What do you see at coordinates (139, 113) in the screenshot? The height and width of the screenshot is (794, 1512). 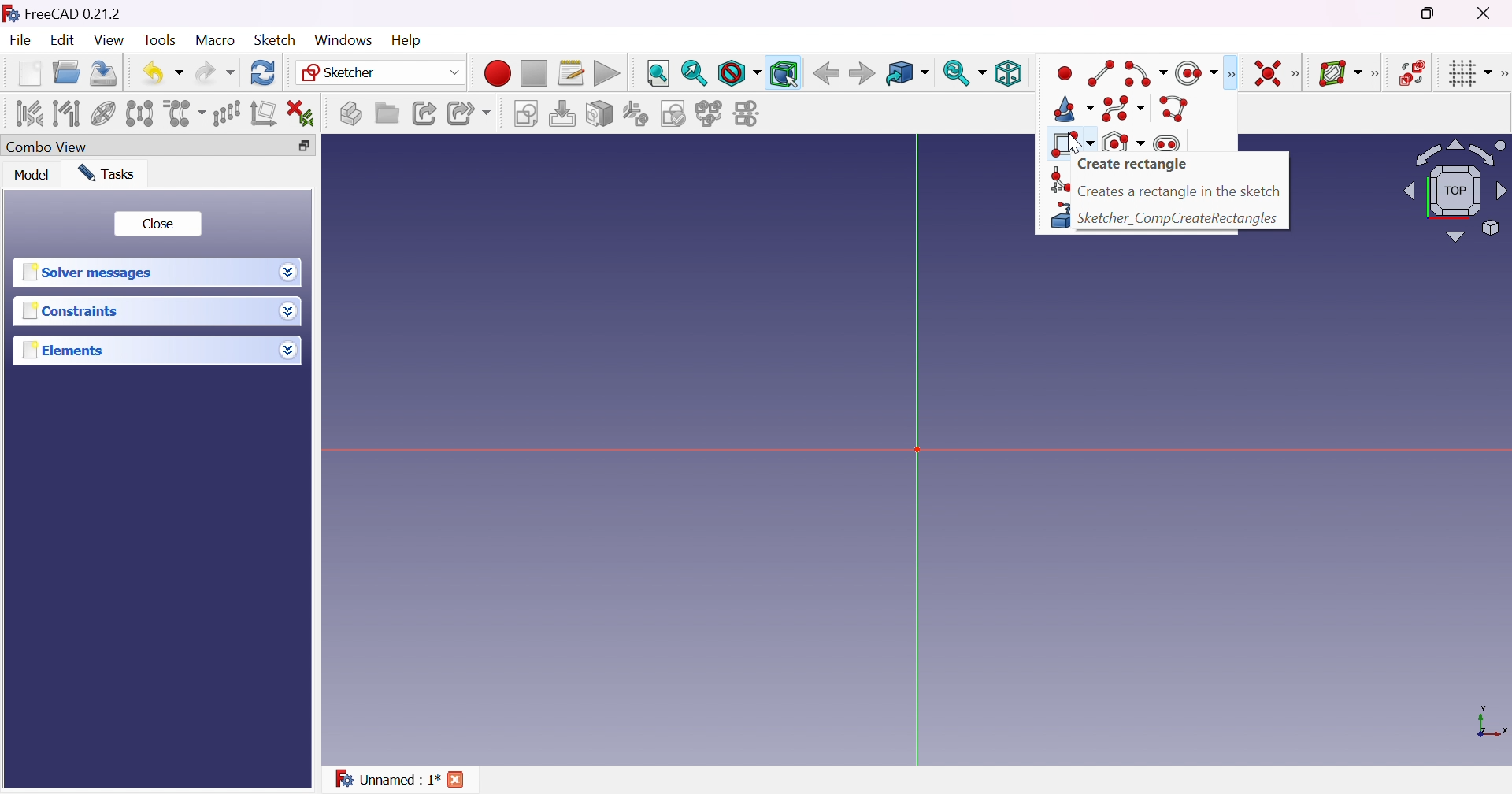 I see `Symmetry` at bounding box center [139, 113].